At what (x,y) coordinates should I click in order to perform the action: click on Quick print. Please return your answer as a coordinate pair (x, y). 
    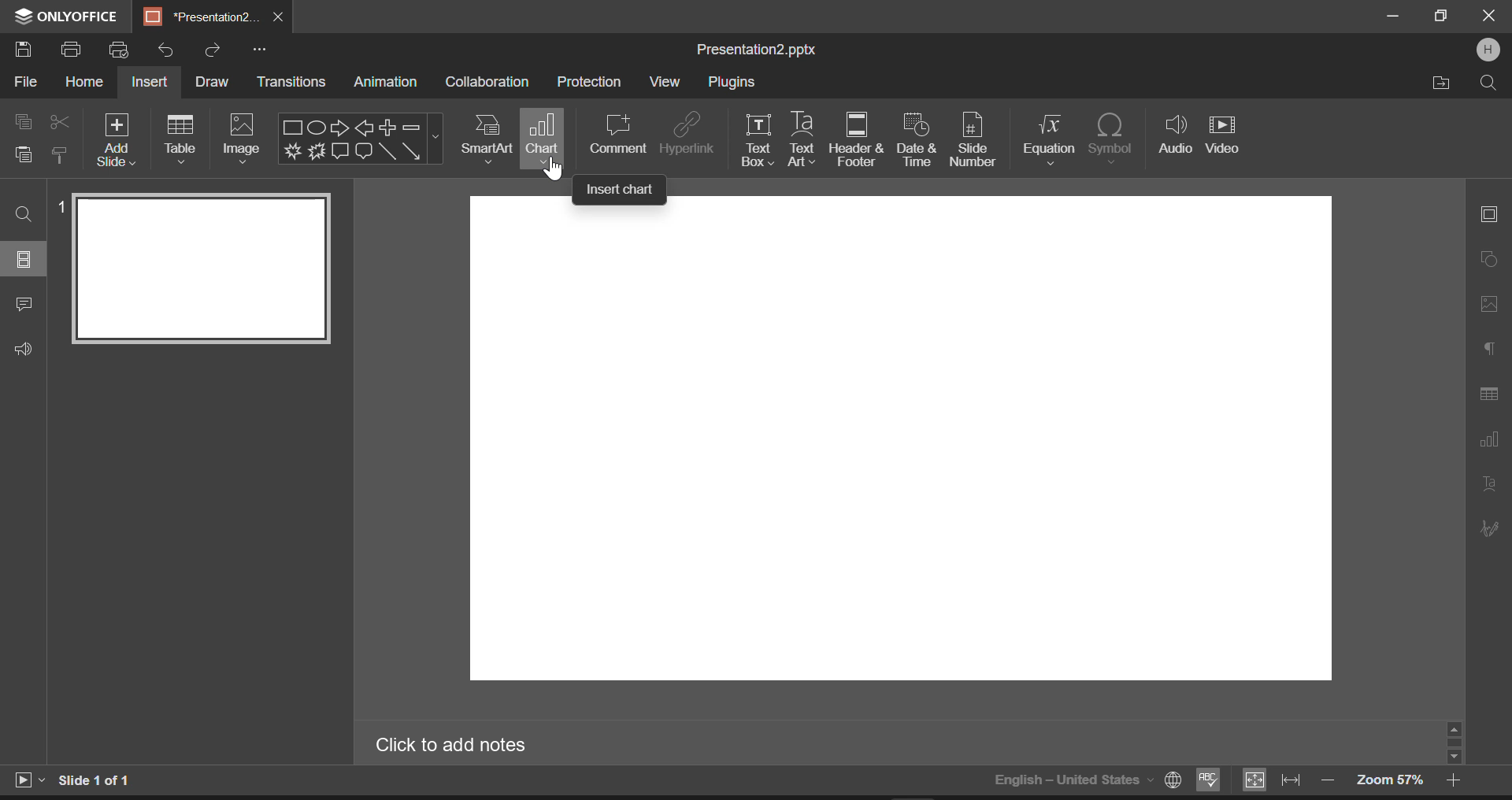
    Looking at the image, I should click on (120, 51).